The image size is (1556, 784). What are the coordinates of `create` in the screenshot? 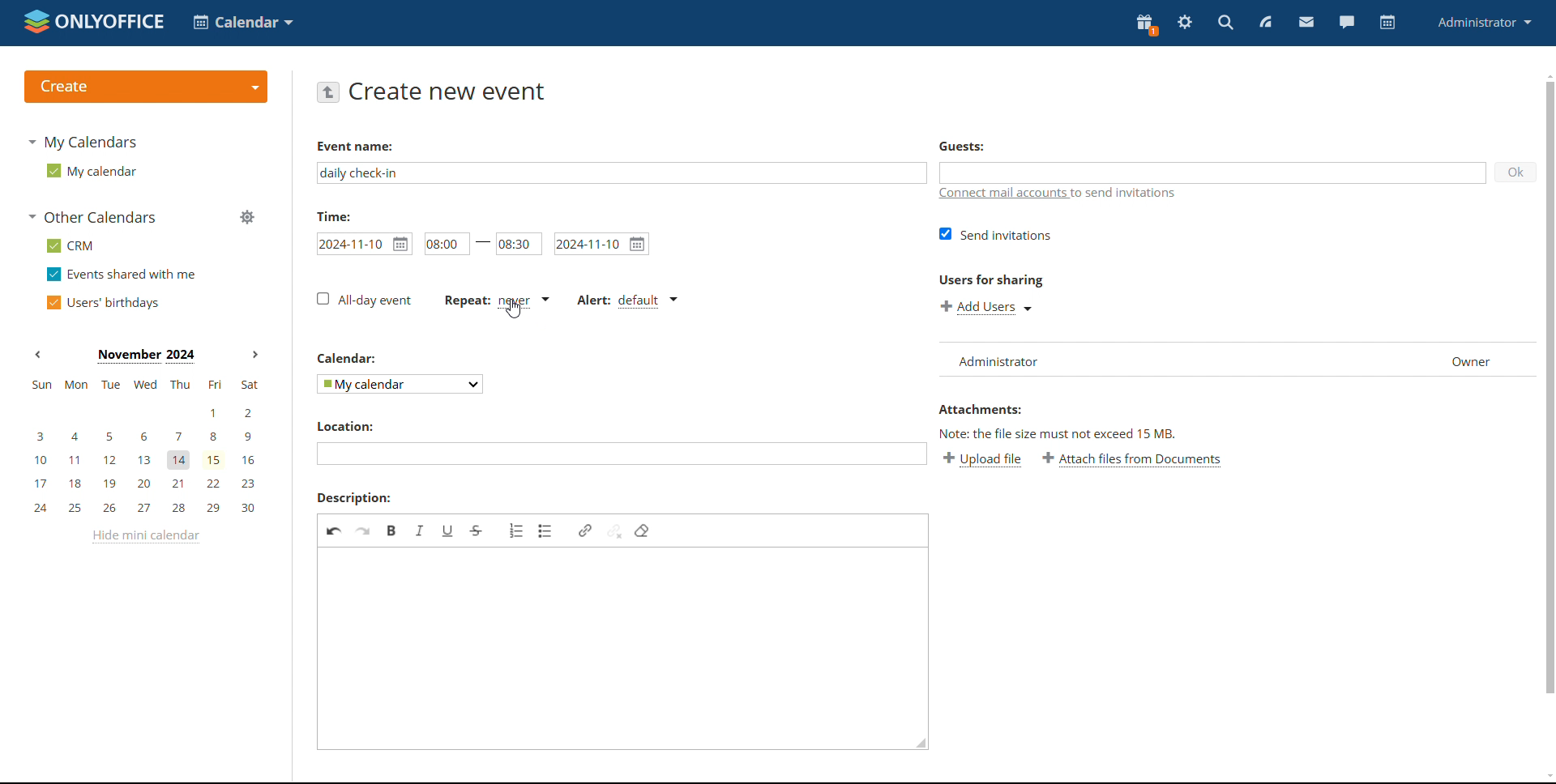 It's located at (145, 87).